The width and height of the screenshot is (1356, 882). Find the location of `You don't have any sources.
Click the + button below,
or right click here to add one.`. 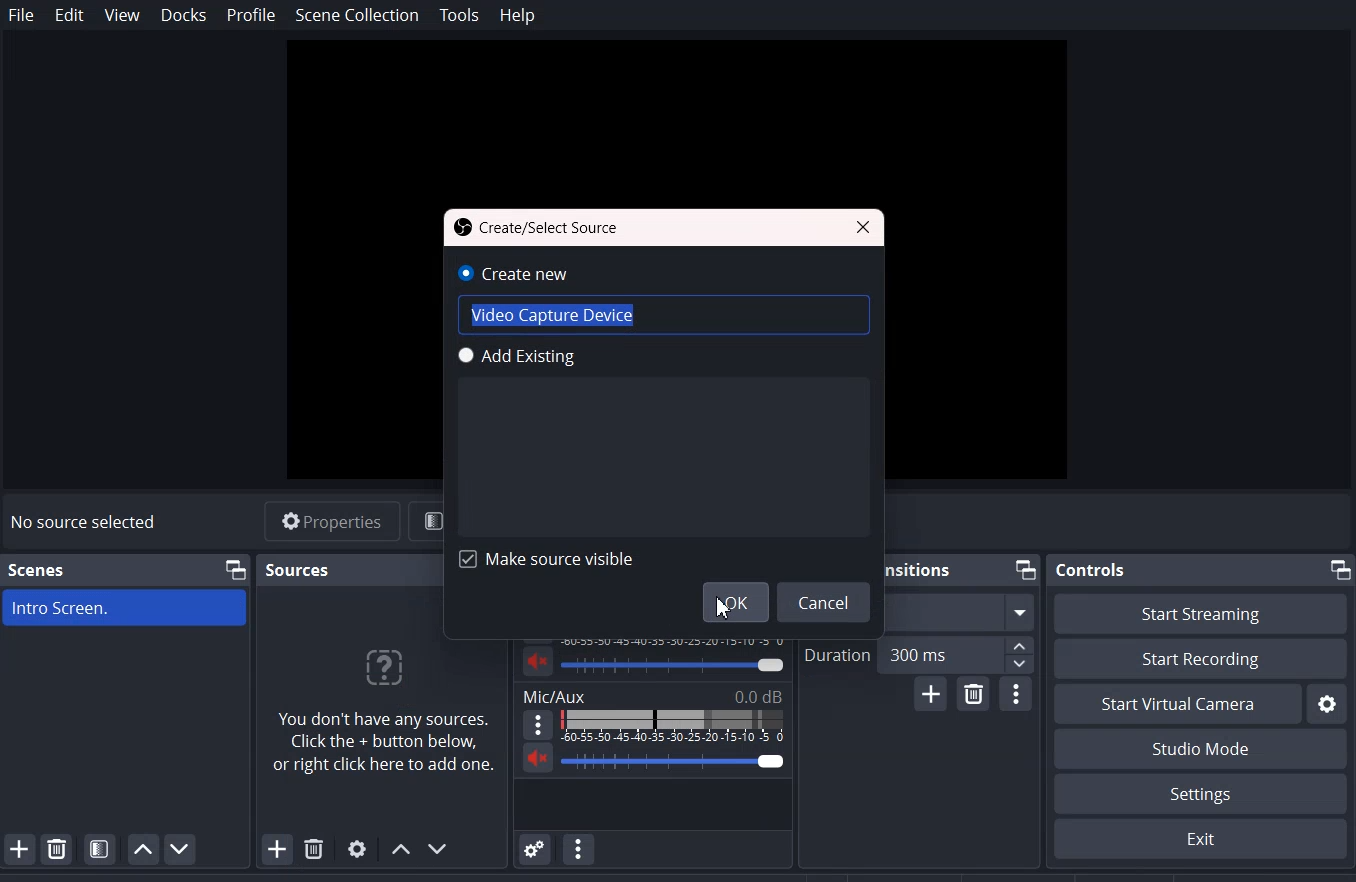

You don't have any sources.
Click the + button below,
or right click here to add one. is located at coordinates (387, 753).